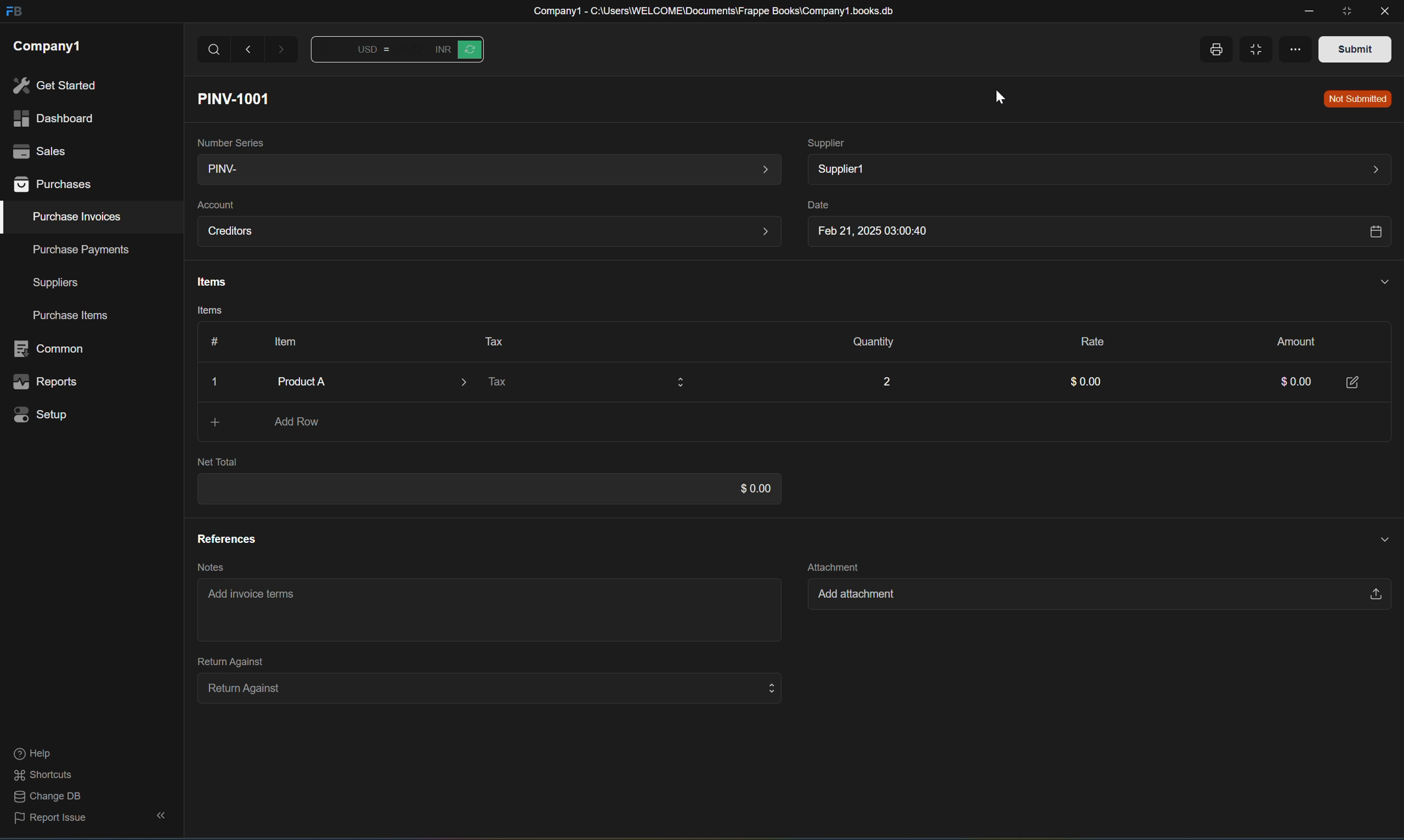 The height and width of the screenshot is (840, 1404). Describe the element at coordinates (44, 798) in the screenshot. I see `change DB` at that location.